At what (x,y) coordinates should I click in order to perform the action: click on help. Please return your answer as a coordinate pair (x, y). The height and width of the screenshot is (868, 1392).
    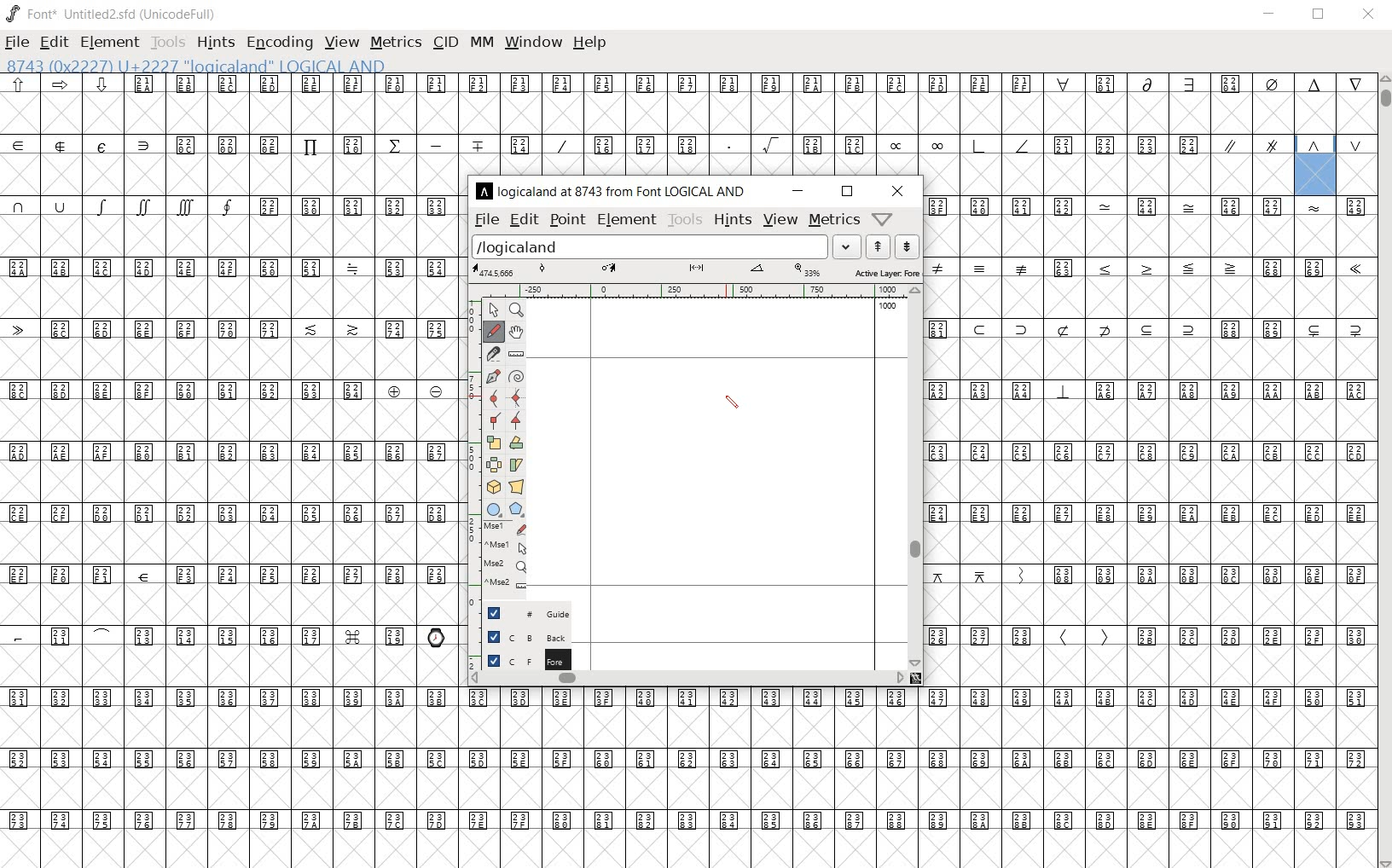
    Looking at the image, I should click on (589, 43).